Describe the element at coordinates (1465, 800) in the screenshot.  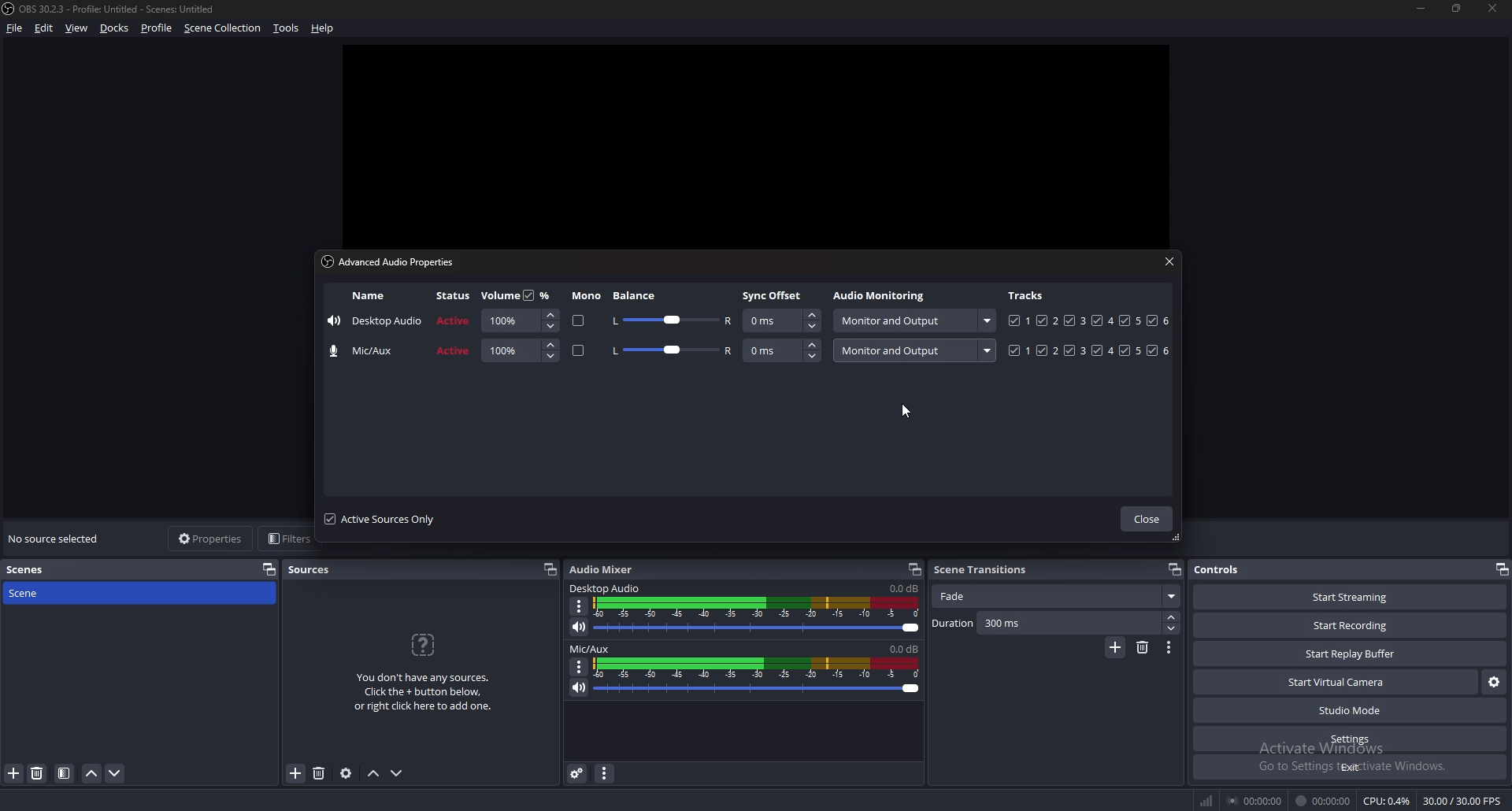
I see `30.00/ 30.00 FPS` at that location.